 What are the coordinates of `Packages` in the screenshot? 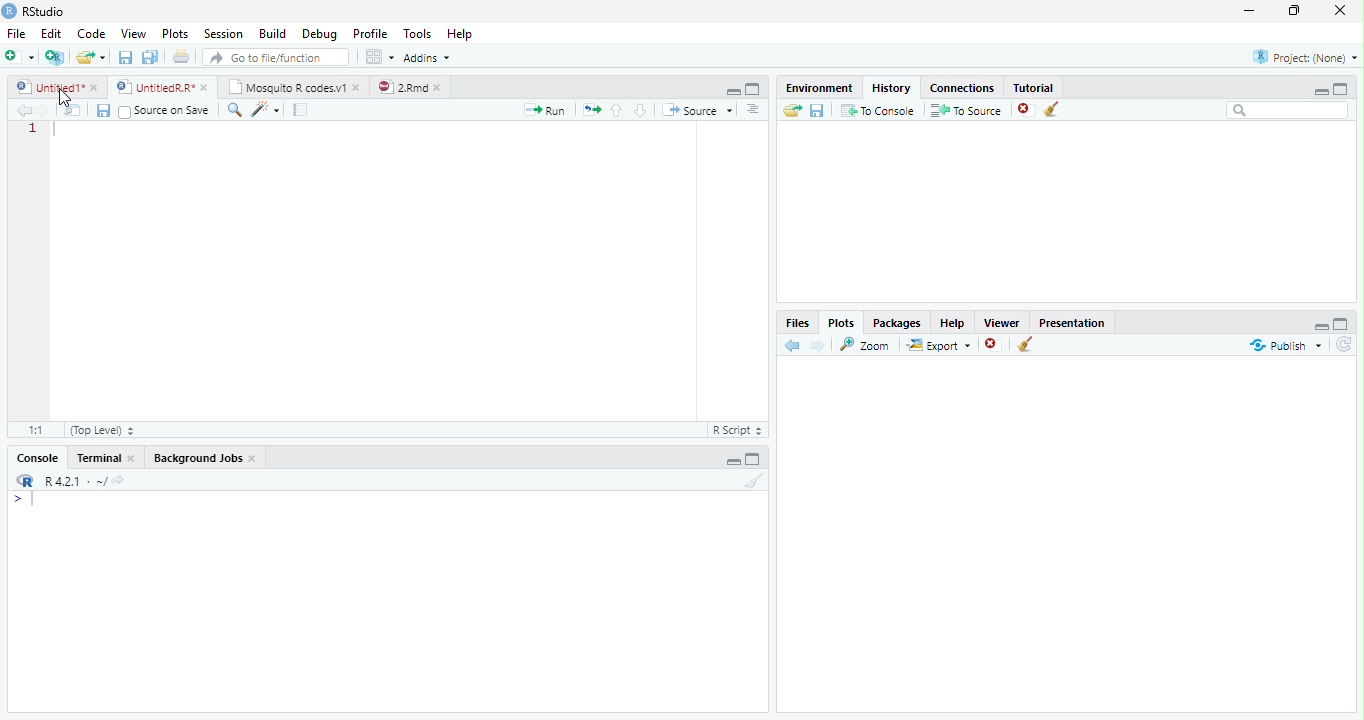 It's located at (896, 321).